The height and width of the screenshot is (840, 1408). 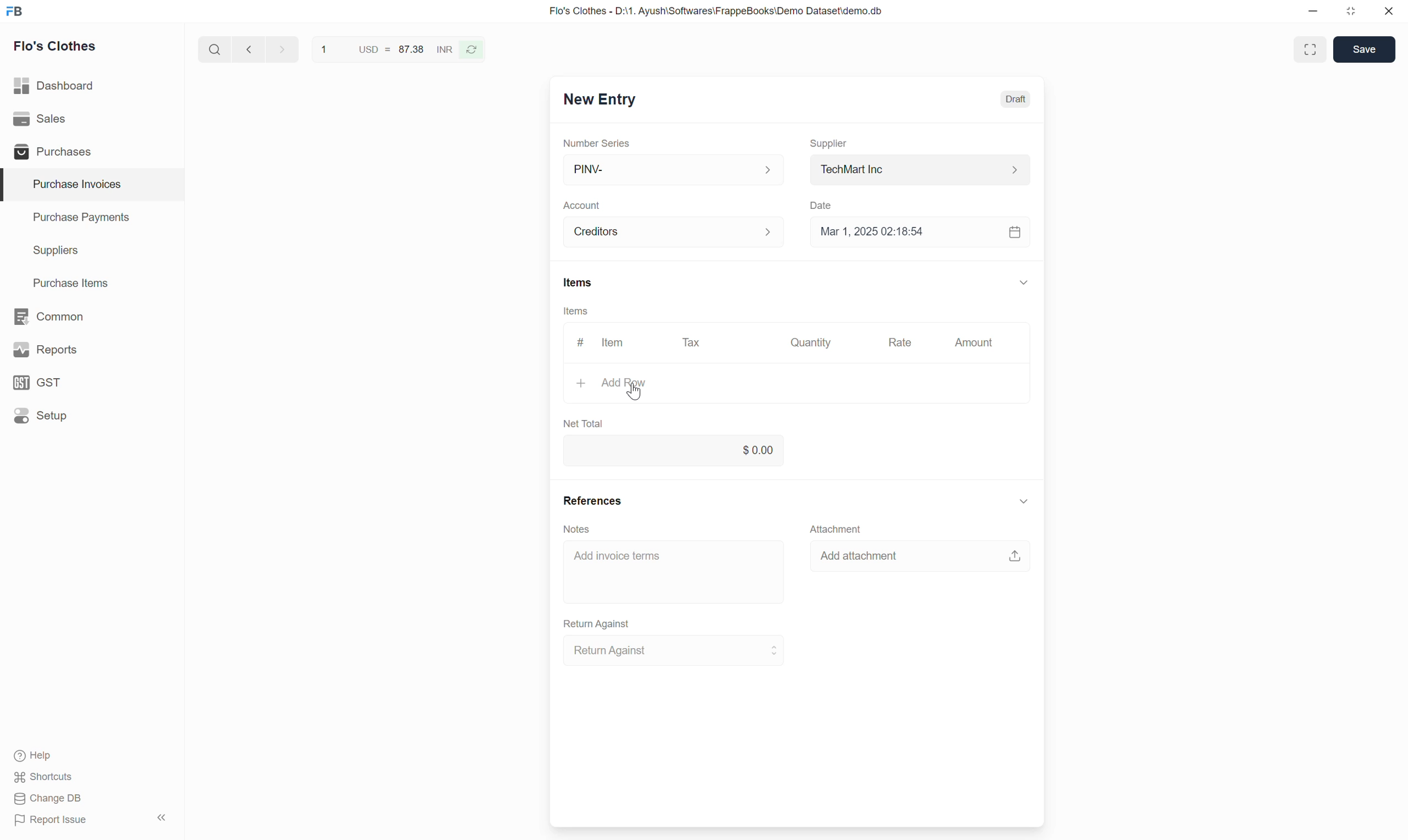 What do you see at coordinates (602, 342) in the screenshot?
I see `# Item` at bounding box center [602, 342].